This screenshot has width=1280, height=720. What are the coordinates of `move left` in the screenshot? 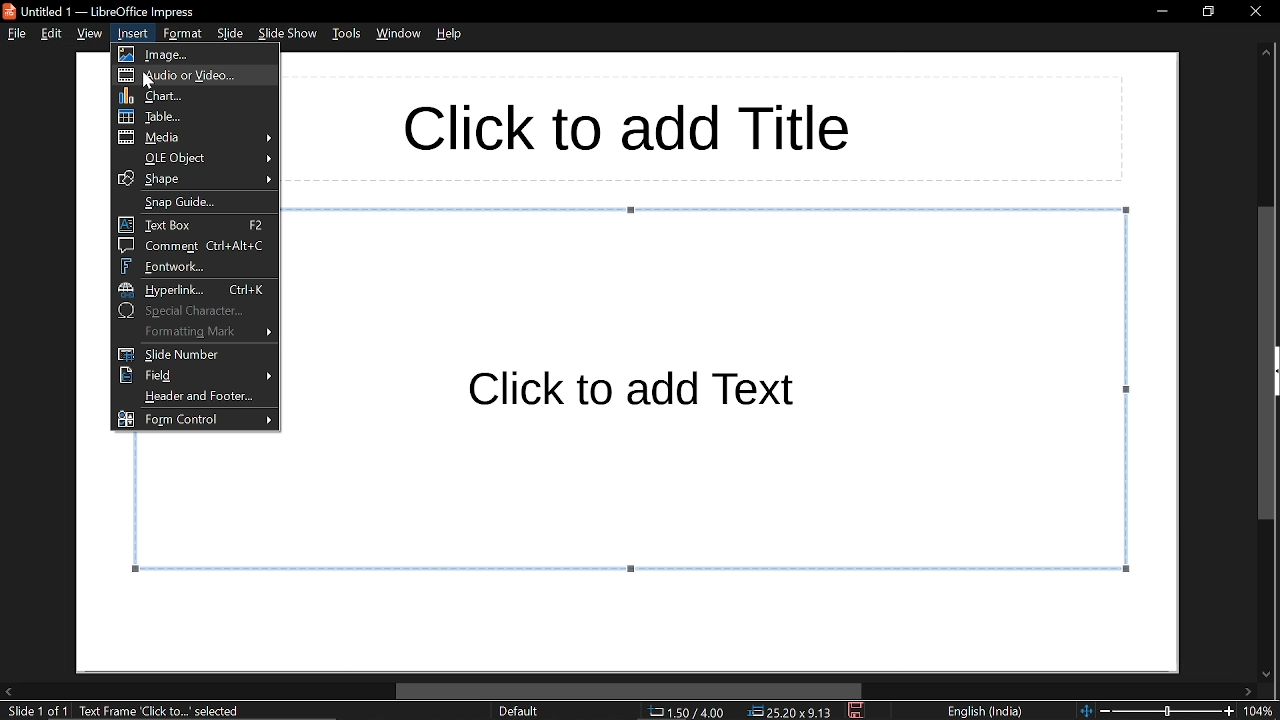 It's located at (8, 692).